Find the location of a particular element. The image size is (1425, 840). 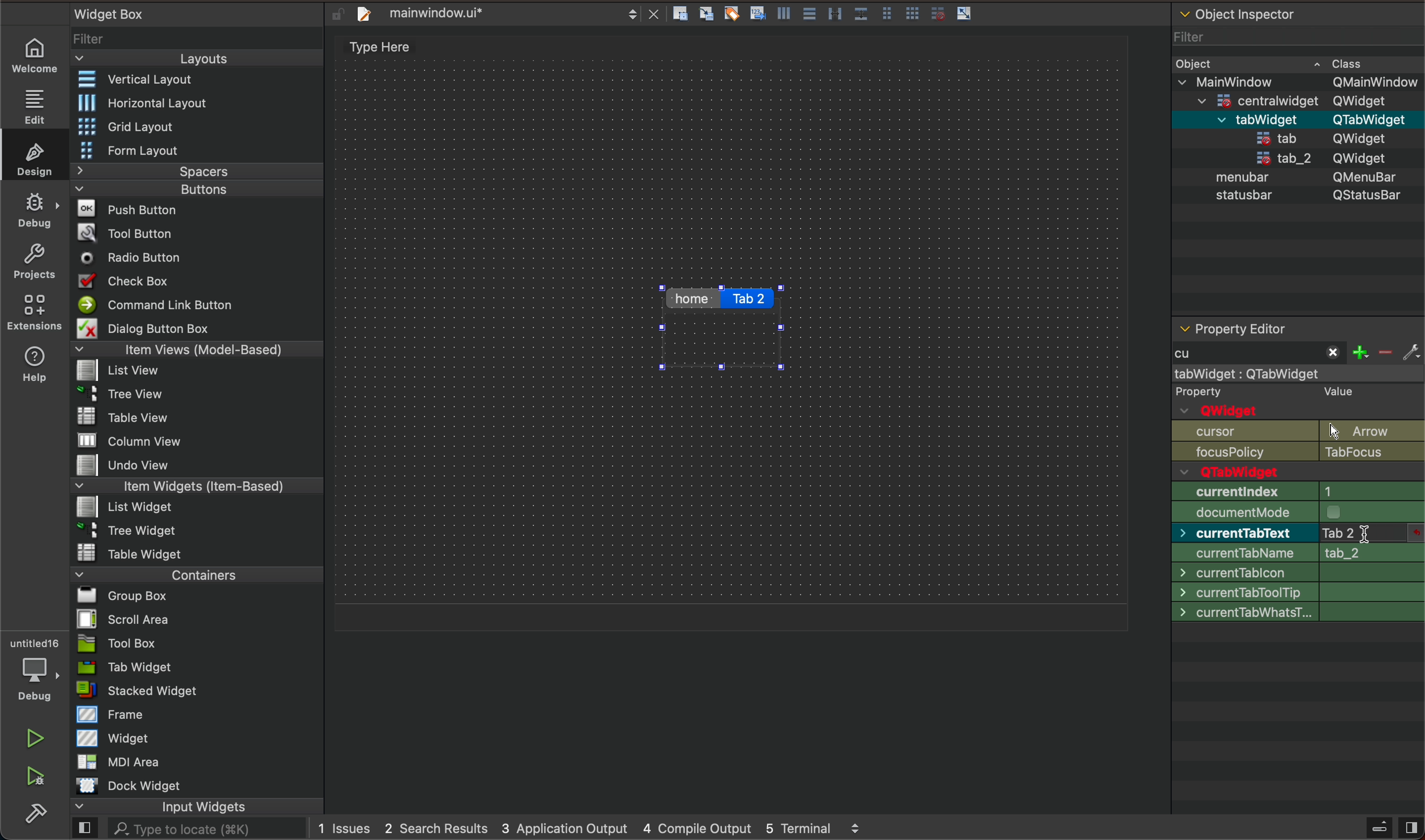

Filter is located at coordinates (93, 37).